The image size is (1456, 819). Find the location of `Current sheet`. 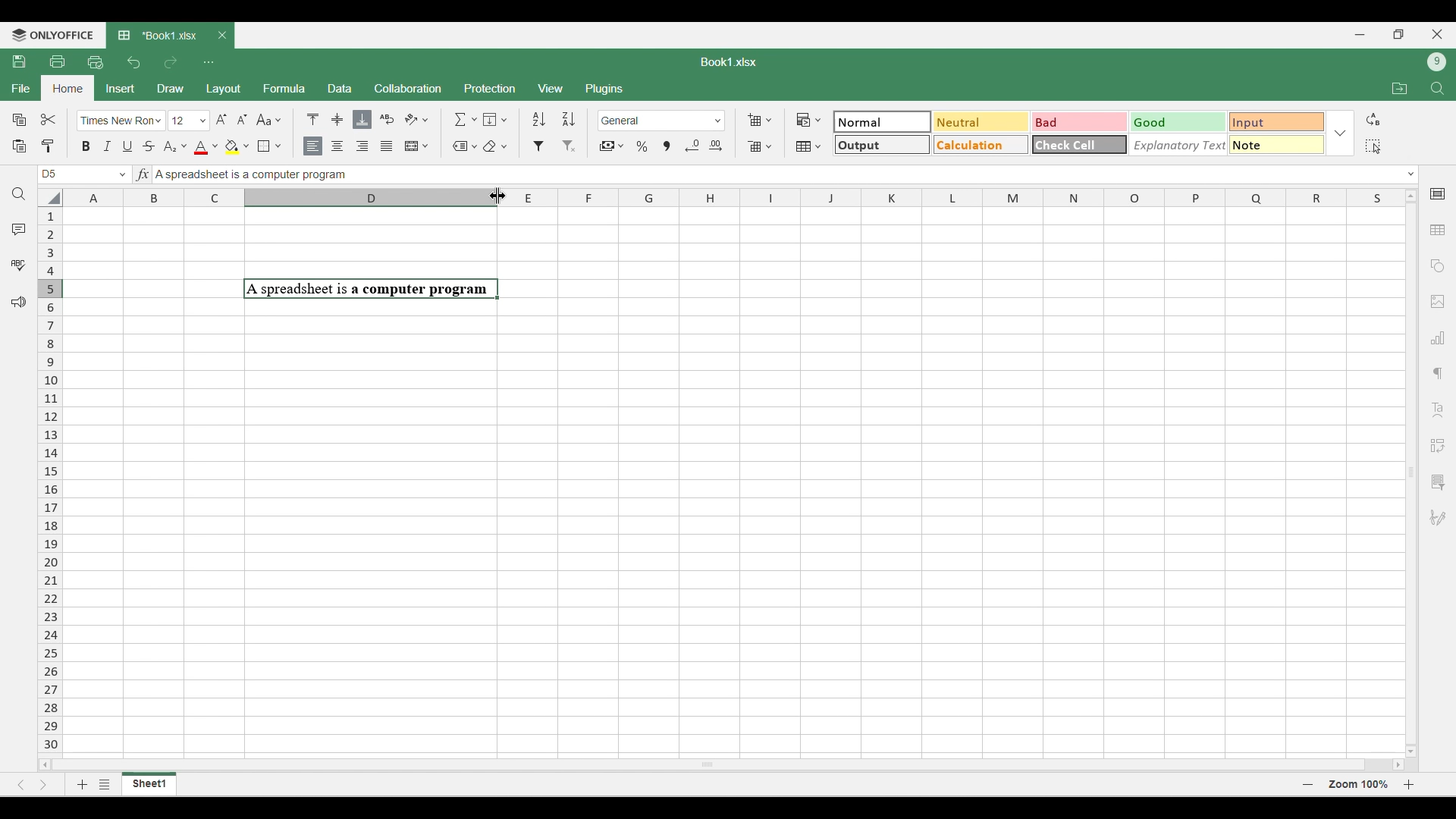

Current sheet is located at coordinates (160, 36).